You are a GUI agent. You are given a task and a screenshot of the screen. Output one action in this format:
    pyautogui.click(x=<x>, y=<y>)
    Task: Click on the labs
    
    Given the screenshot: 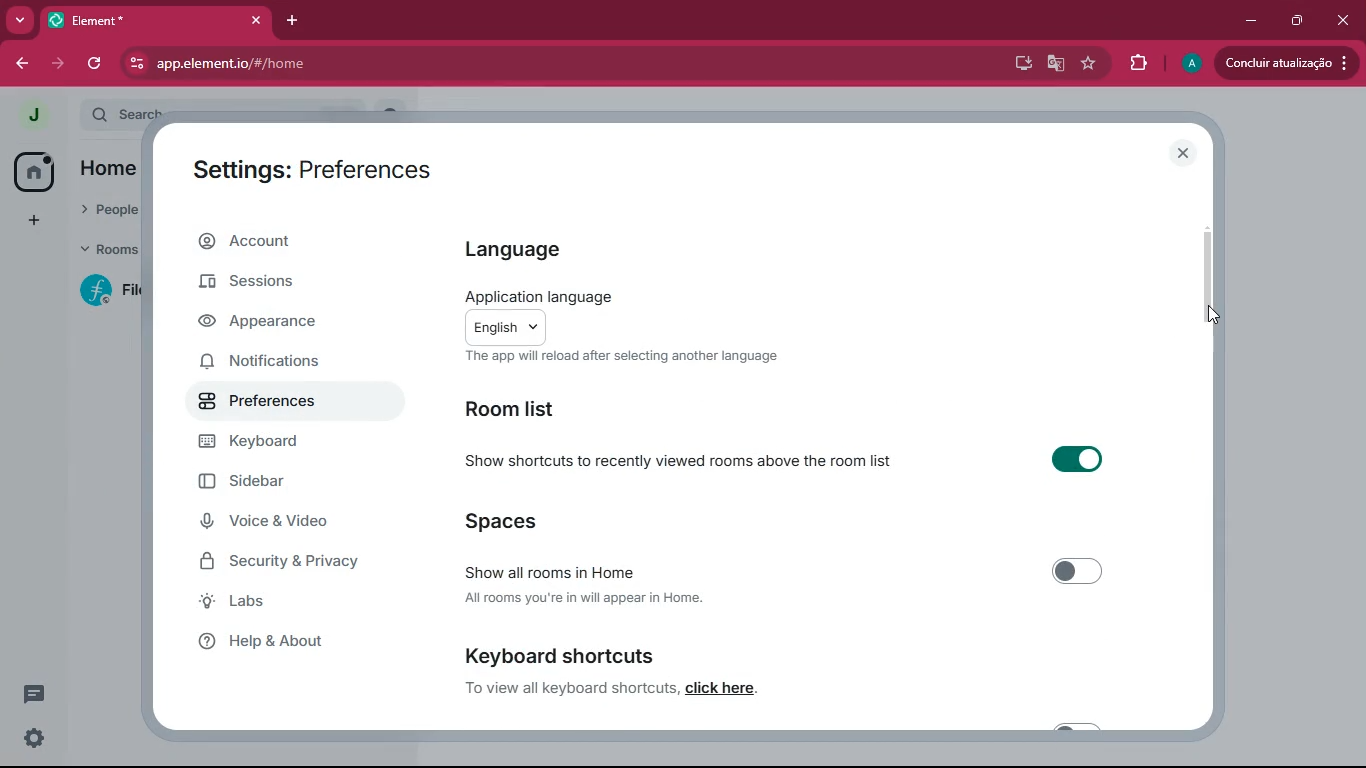 What is the action you would take?
    pyautogui.click(x=276, y=602)
    